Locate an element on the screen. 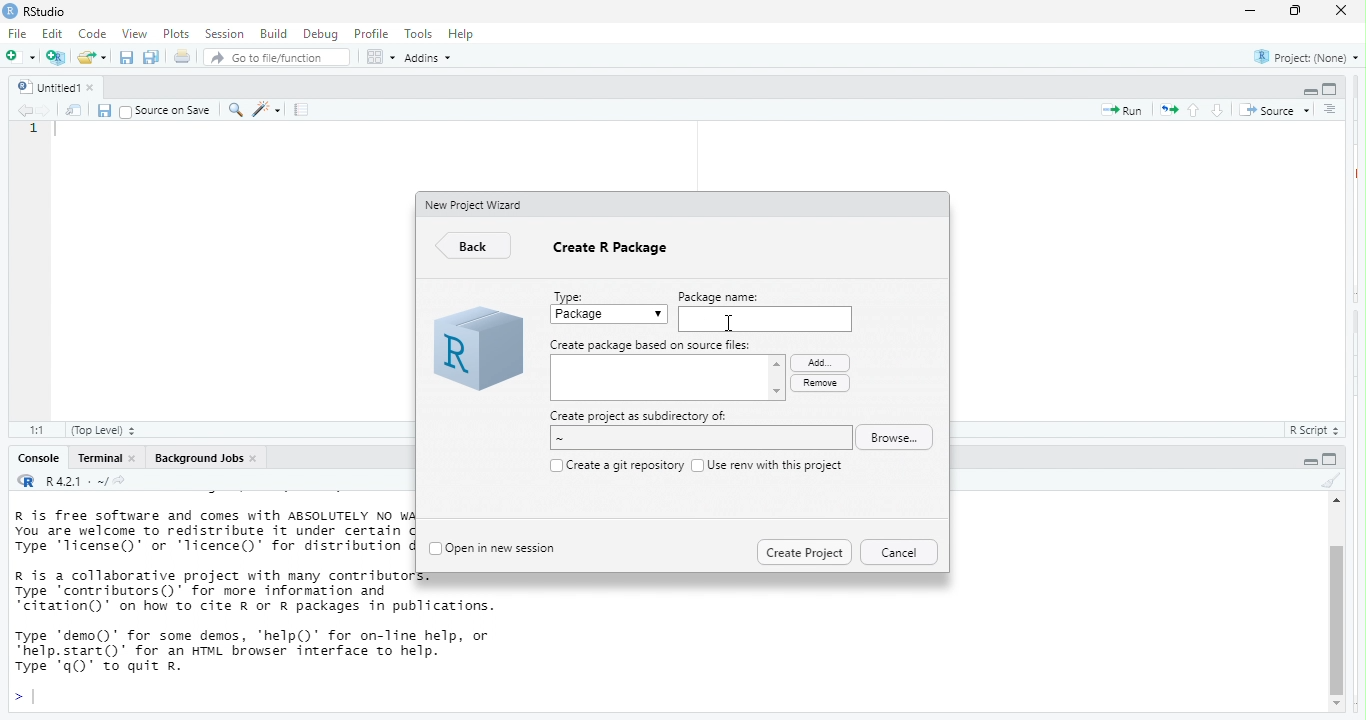 Image resolution: width=1366 pixels, height=720 pixels. 1:1 is located at coordinates (34, 429).